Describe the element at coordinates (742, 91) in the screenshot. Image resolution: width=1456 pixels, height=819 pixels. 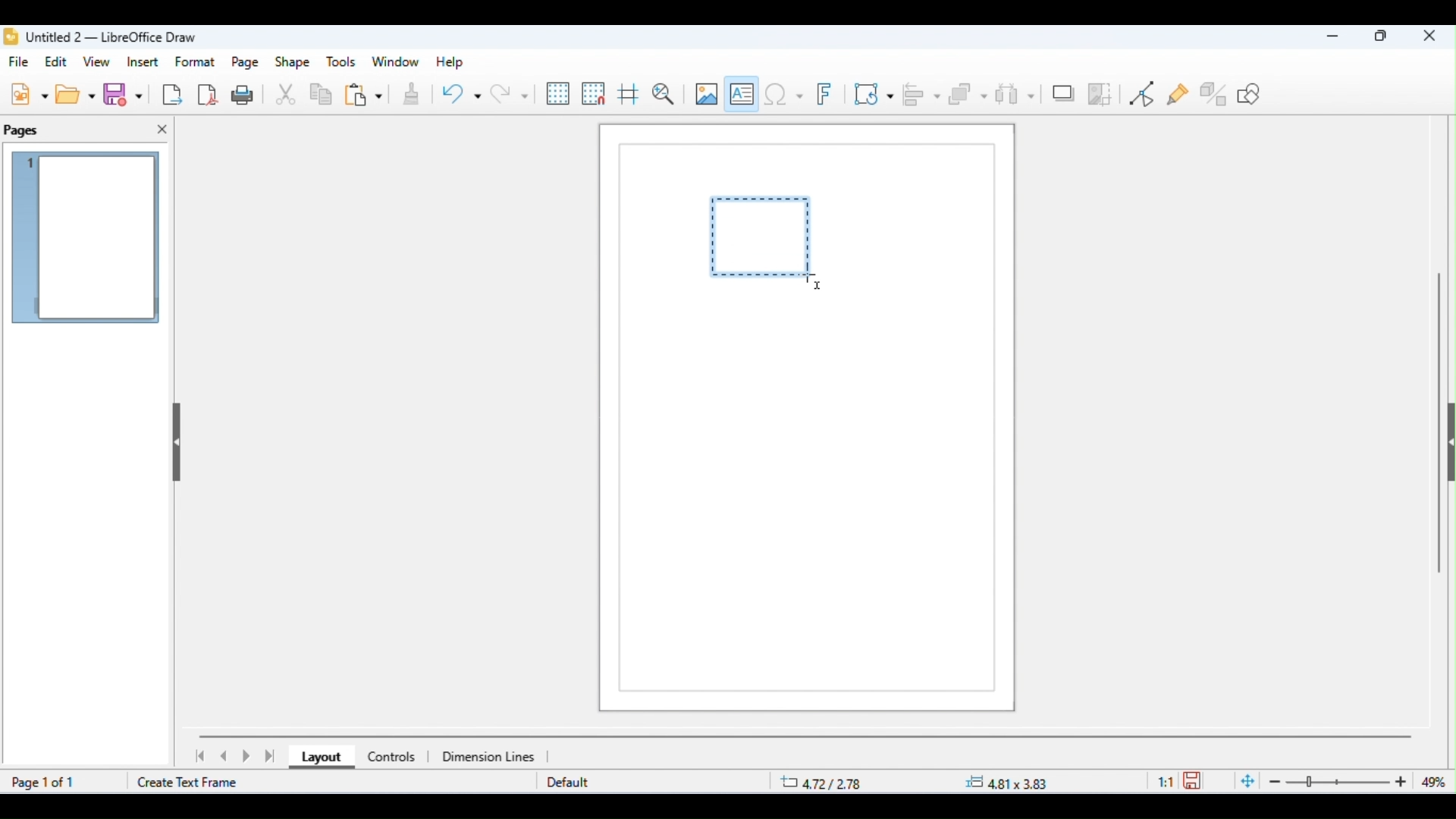
I see `insert text box` at that location.